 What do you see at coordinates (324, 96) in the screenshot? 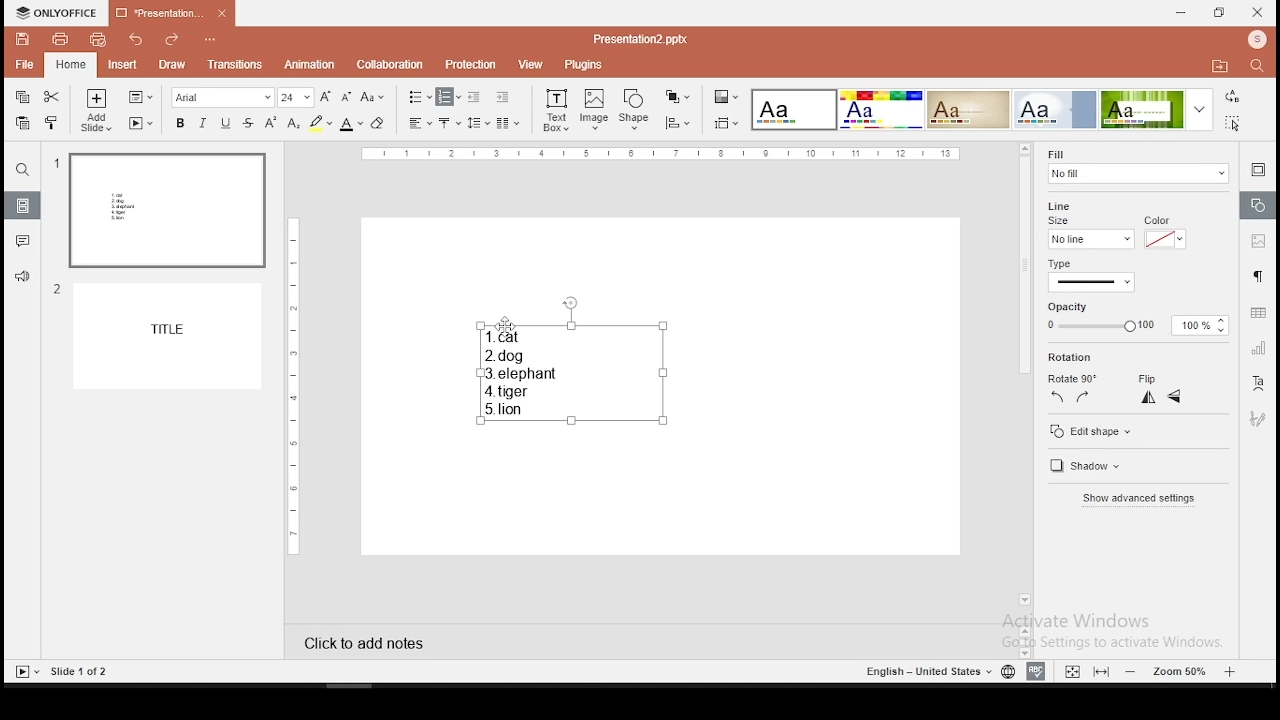
I see `increase font size` at bounding box center [324, 96].